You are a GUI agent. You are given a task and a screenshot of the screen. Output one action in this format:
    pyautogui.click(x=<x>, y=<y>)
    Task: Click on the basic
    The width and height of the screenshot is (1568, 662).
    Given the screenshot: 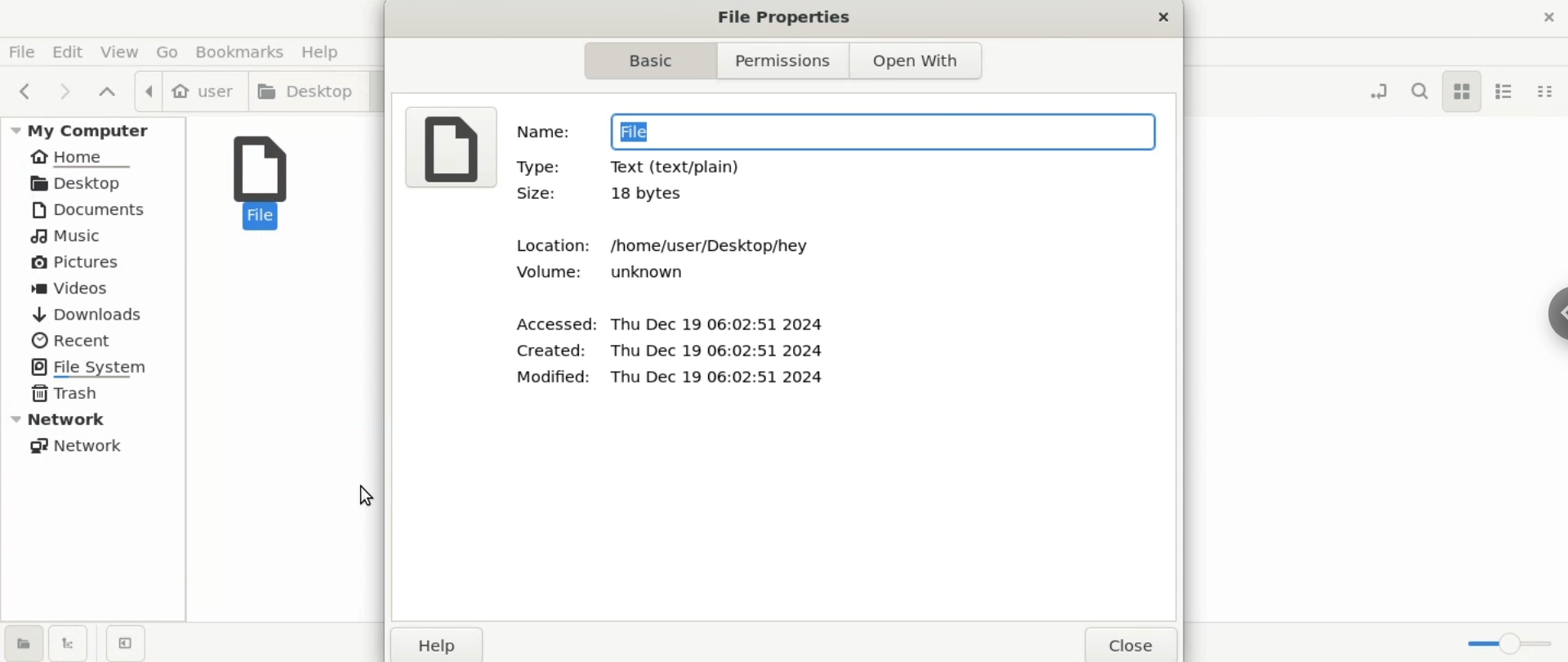 What is the action you would take?
    pyautogui.click(x=654, y=59)
    